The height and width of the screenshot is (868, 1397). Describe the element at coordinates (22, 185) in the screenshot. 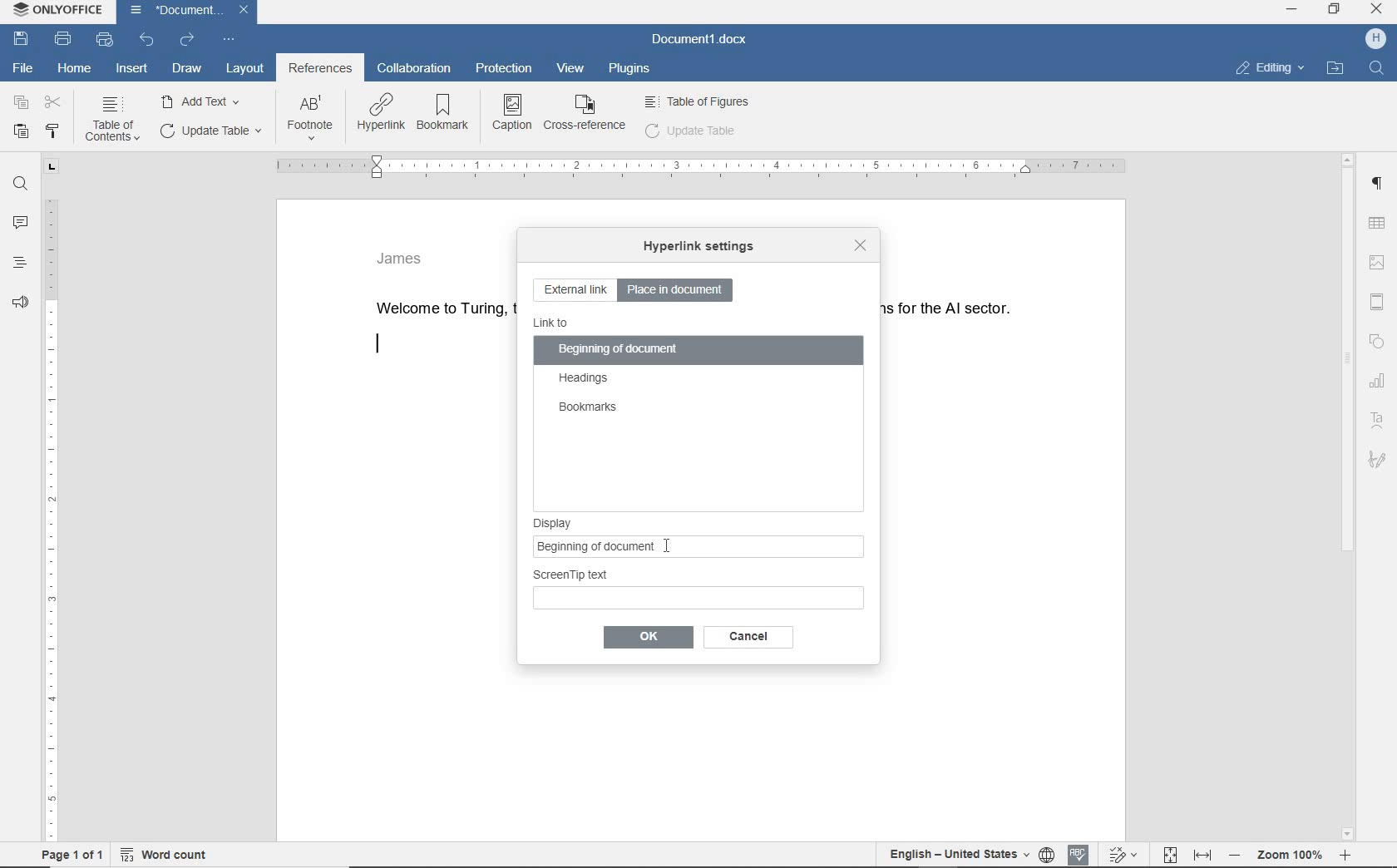

I see `find` at that location.